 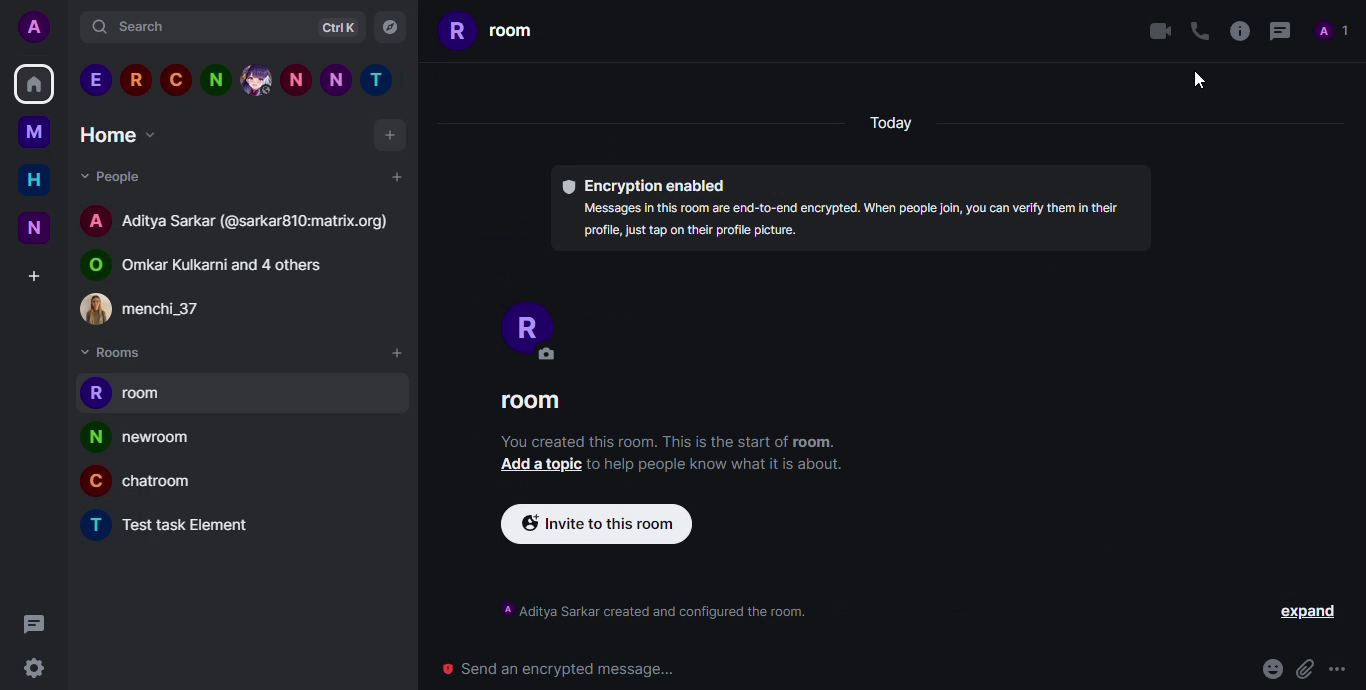 I want to click on account, so click(x=39, y=28).